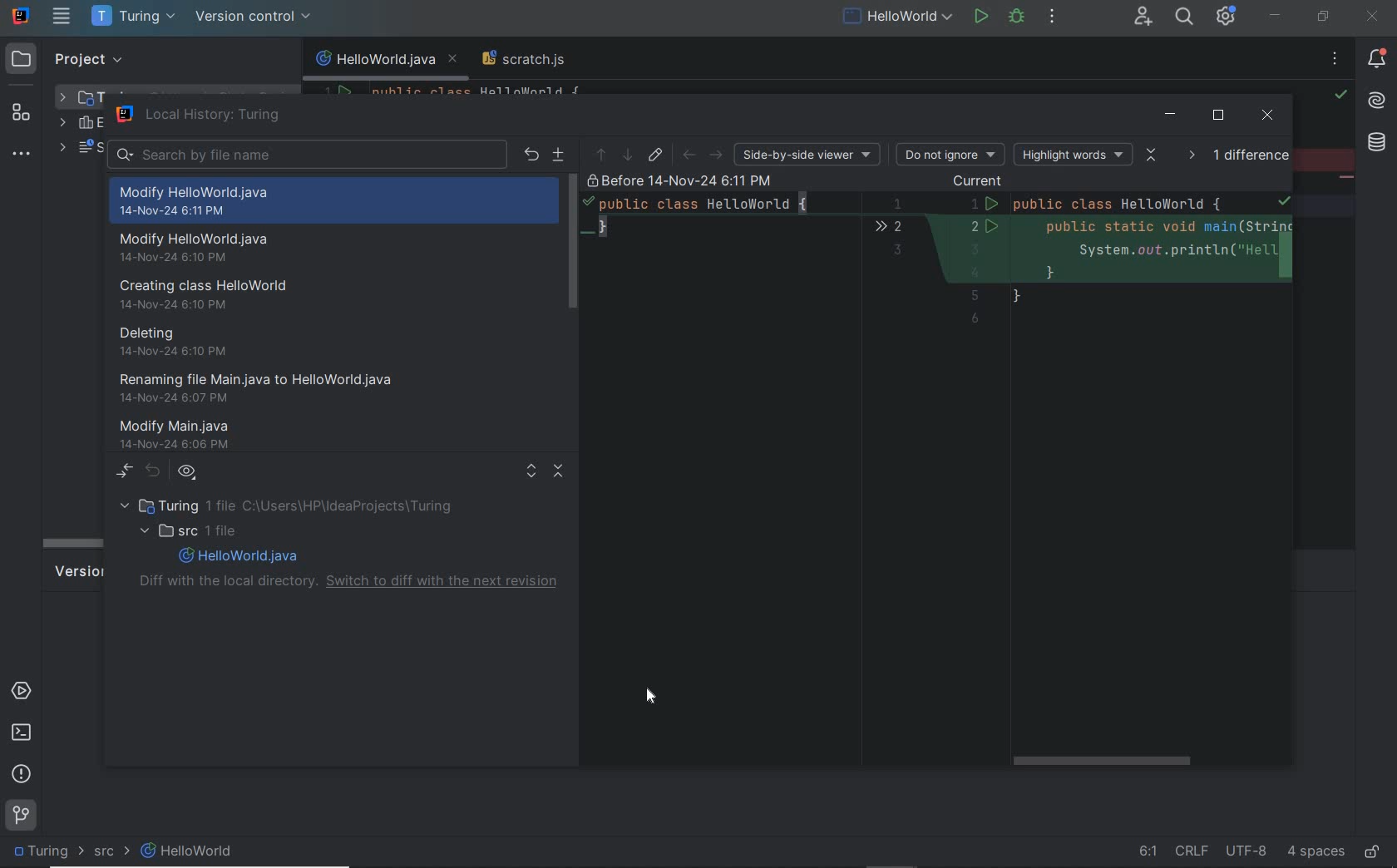 The image size is (1397, 868). What do you see at coordinates (185, 853) in the screenshot?
I see `file name` at bounding box center [185, 853].